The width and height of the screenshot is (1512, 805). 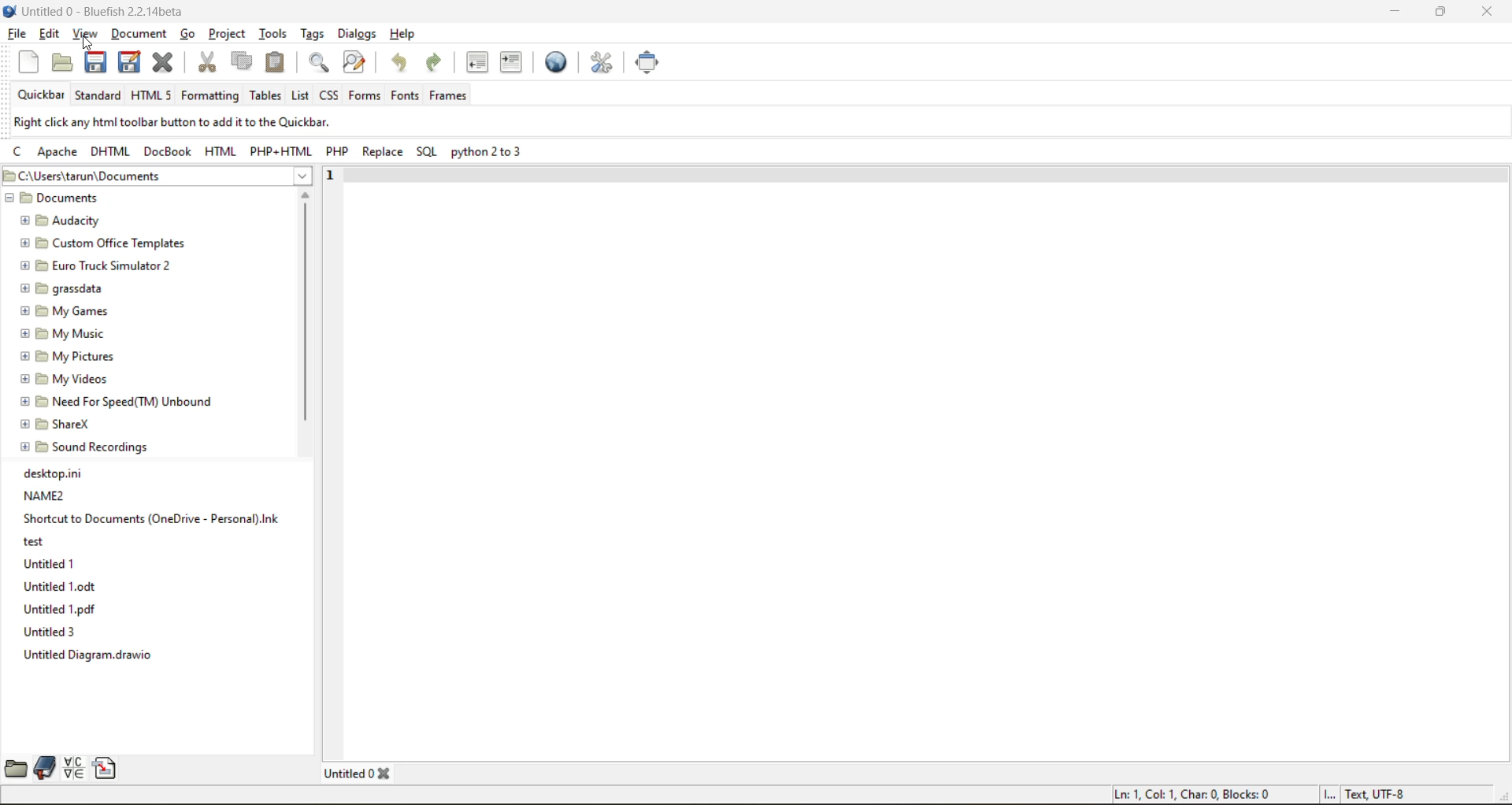 I want to click on Untitled 1.pdf, so click(x=62, y=609).